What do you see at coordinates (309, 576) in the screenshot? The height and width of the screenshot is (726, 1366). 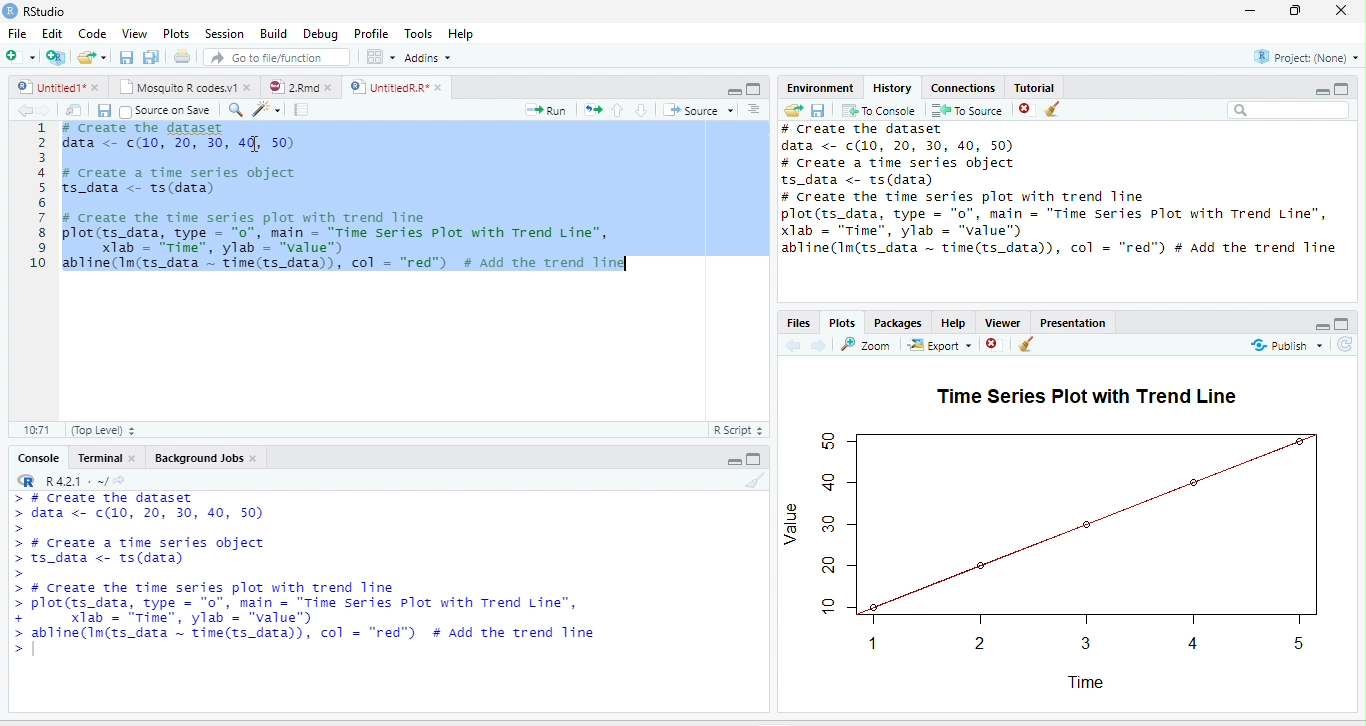 I see `> # Create the dataset

> data <- c(10, 20, 30, 40, 50)

>

> # create a time series object

> ts_data <- ts(data)

>

> # Create the time series plot with trend Tine

> plot(ts_data, type = "0", main = "Time Series Plot with Trend Line",
+ X1ab = “Time”, ylab = "value")

> abline(Im(ts_data ~ time(ts_data)), col = red”) # add the trend Tine
>|` at bounding box center [309, 576].